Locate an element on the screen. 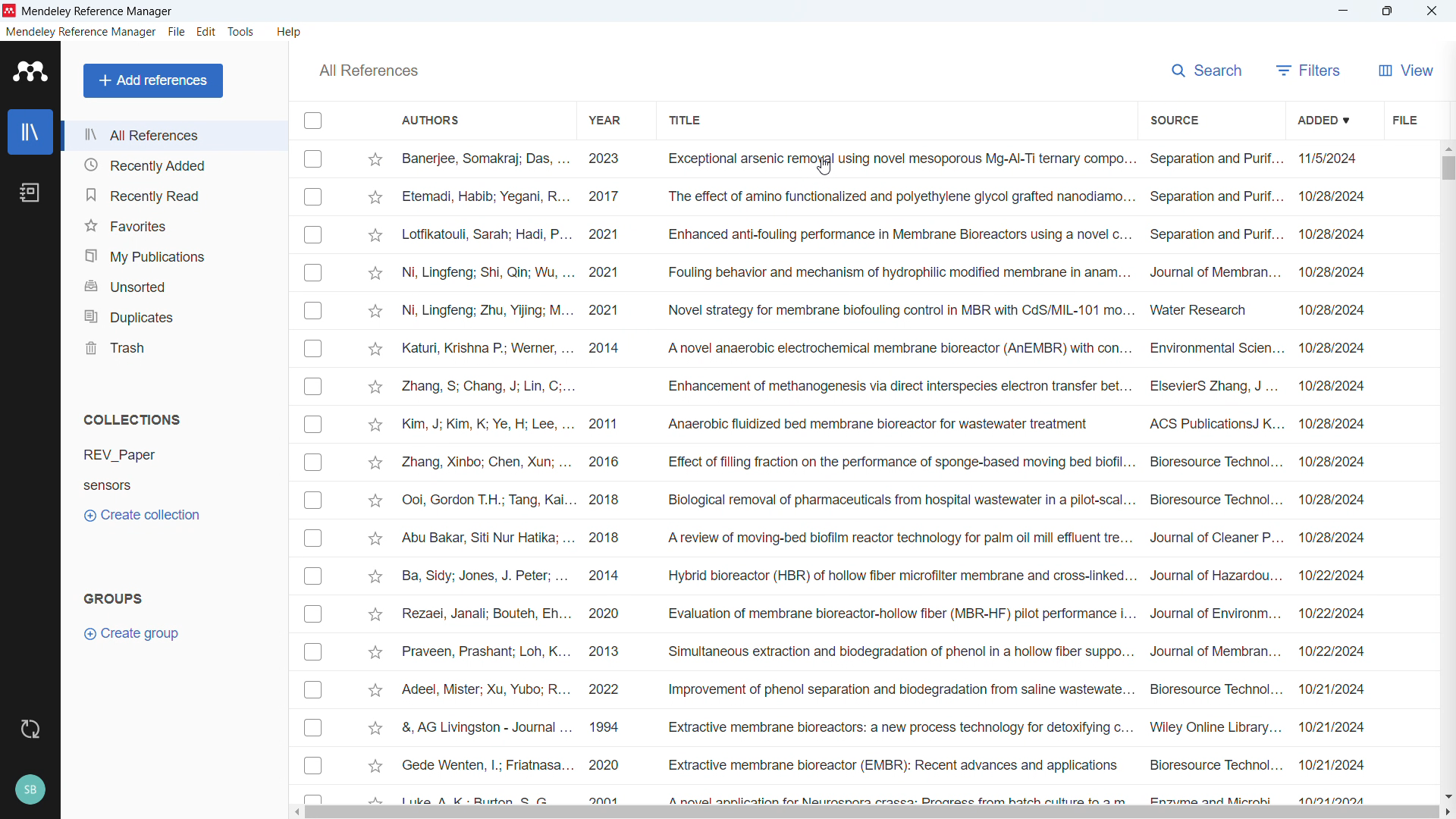 The width and height of the screenshot is (1456, 819). exceptional arsenic removal using novel mesoporous mg-ai-ti temany compo is located at coordinates (894, 158).